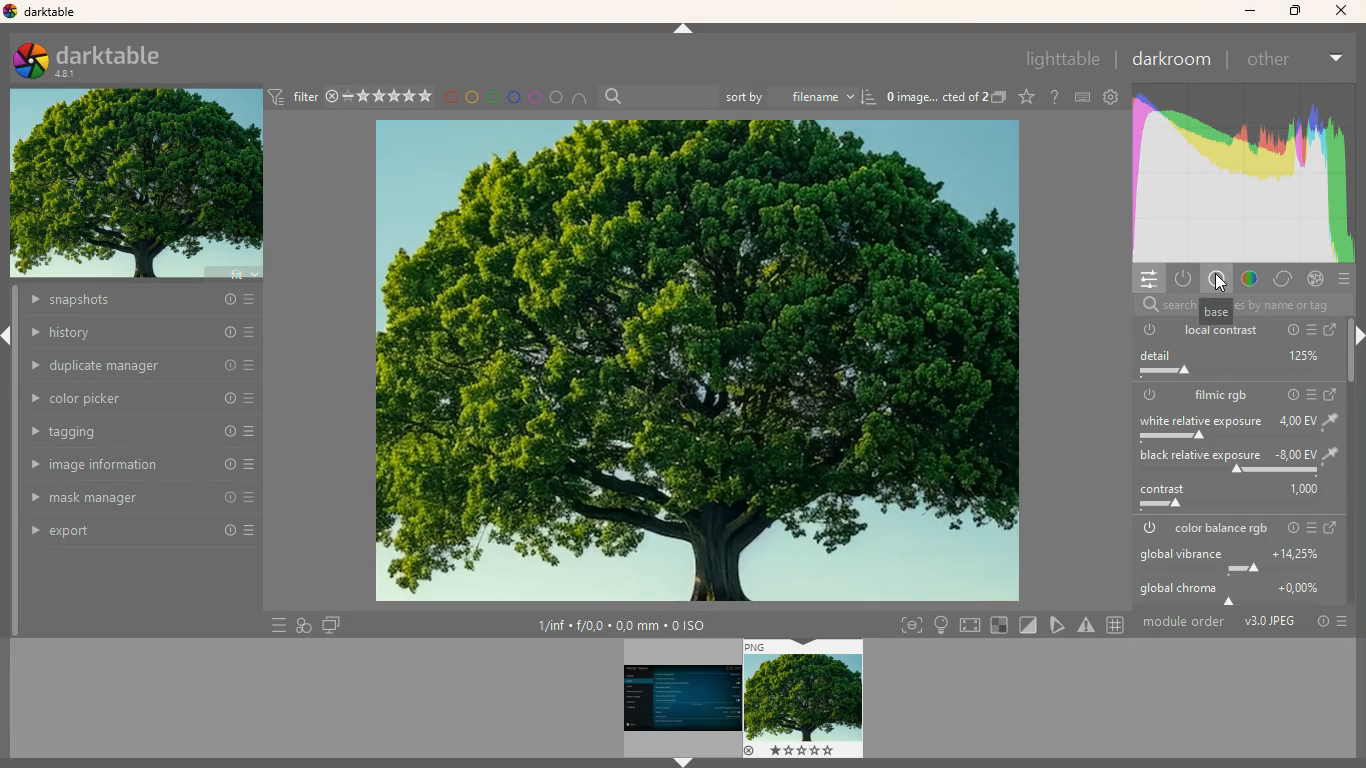  What do you see at coordinates (137, 533) in the screenshot?
I see `export` at bounding box center [137, 533].